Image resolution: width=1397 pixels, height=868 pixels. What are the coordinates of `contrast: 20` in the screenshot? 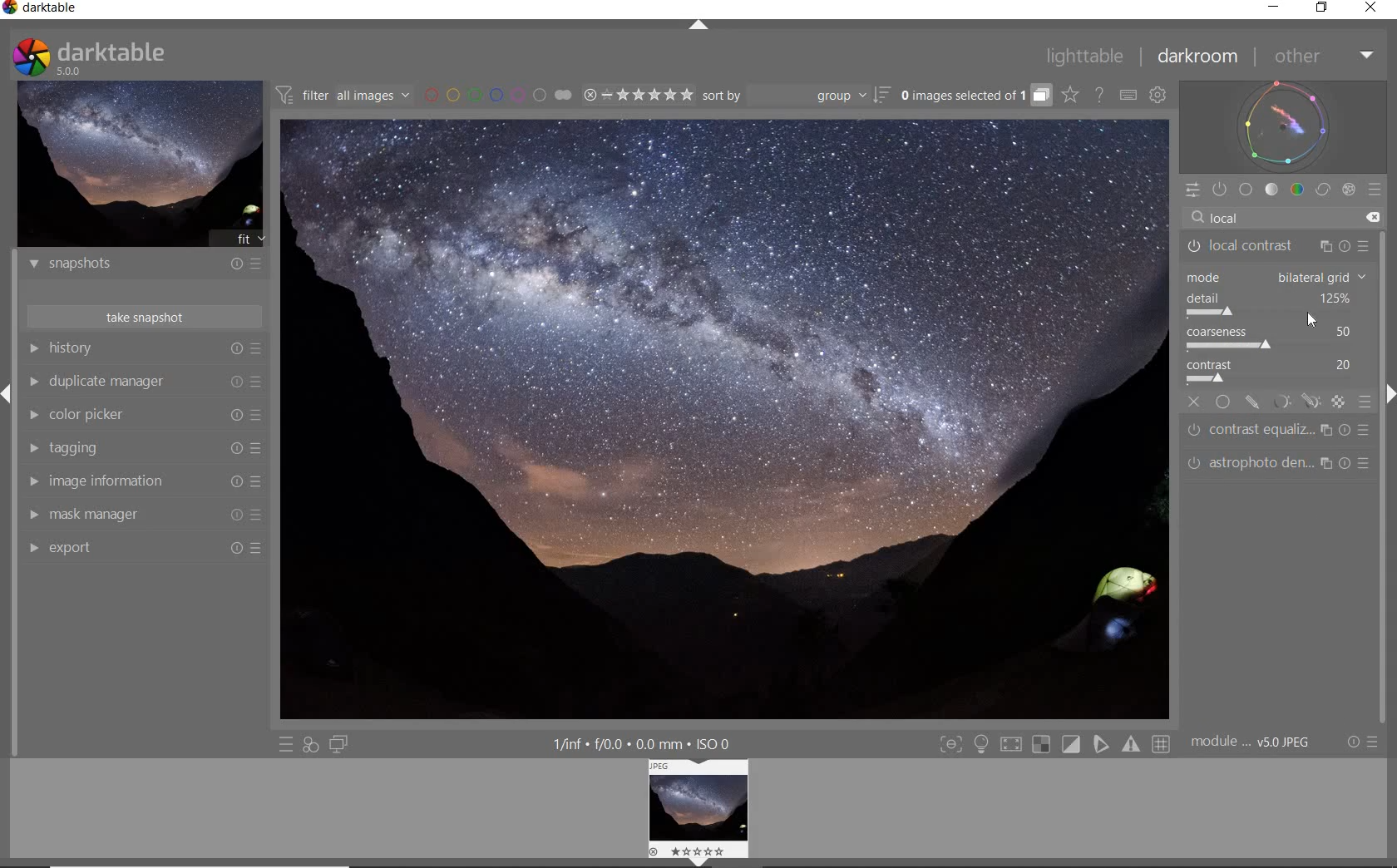 It's located at (1273, 366).